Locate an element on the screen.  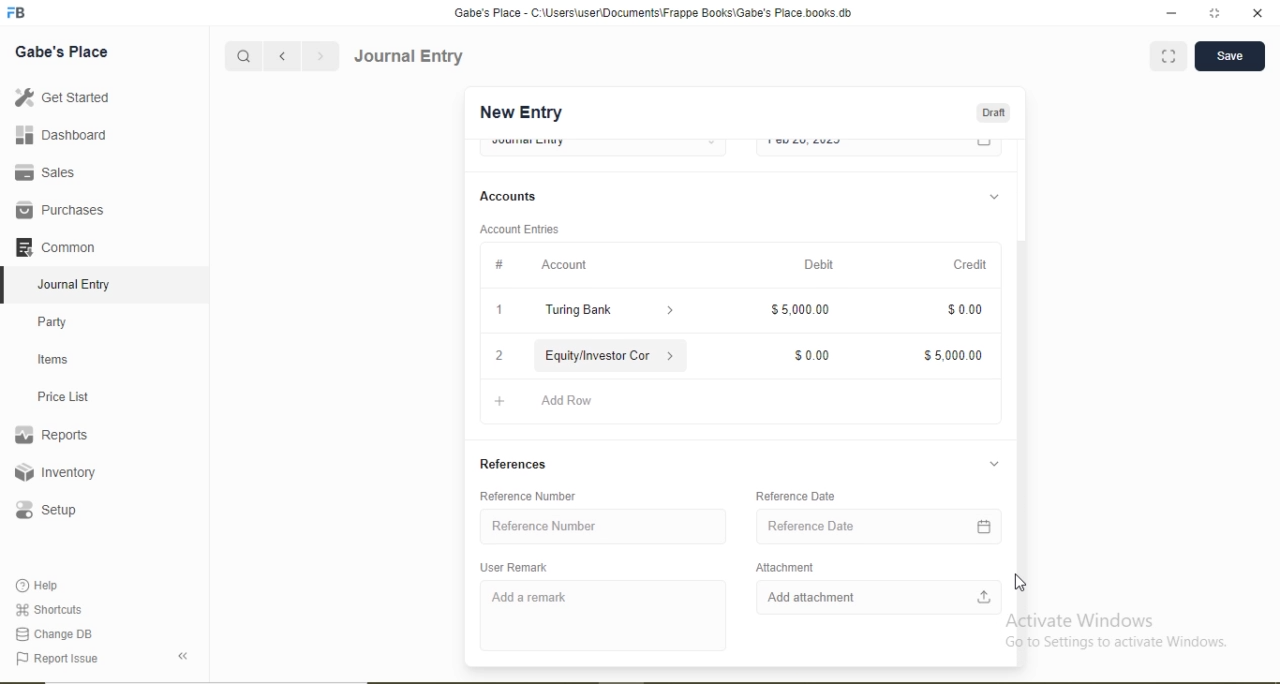
$0.00 is located at coordinates (964, 308).